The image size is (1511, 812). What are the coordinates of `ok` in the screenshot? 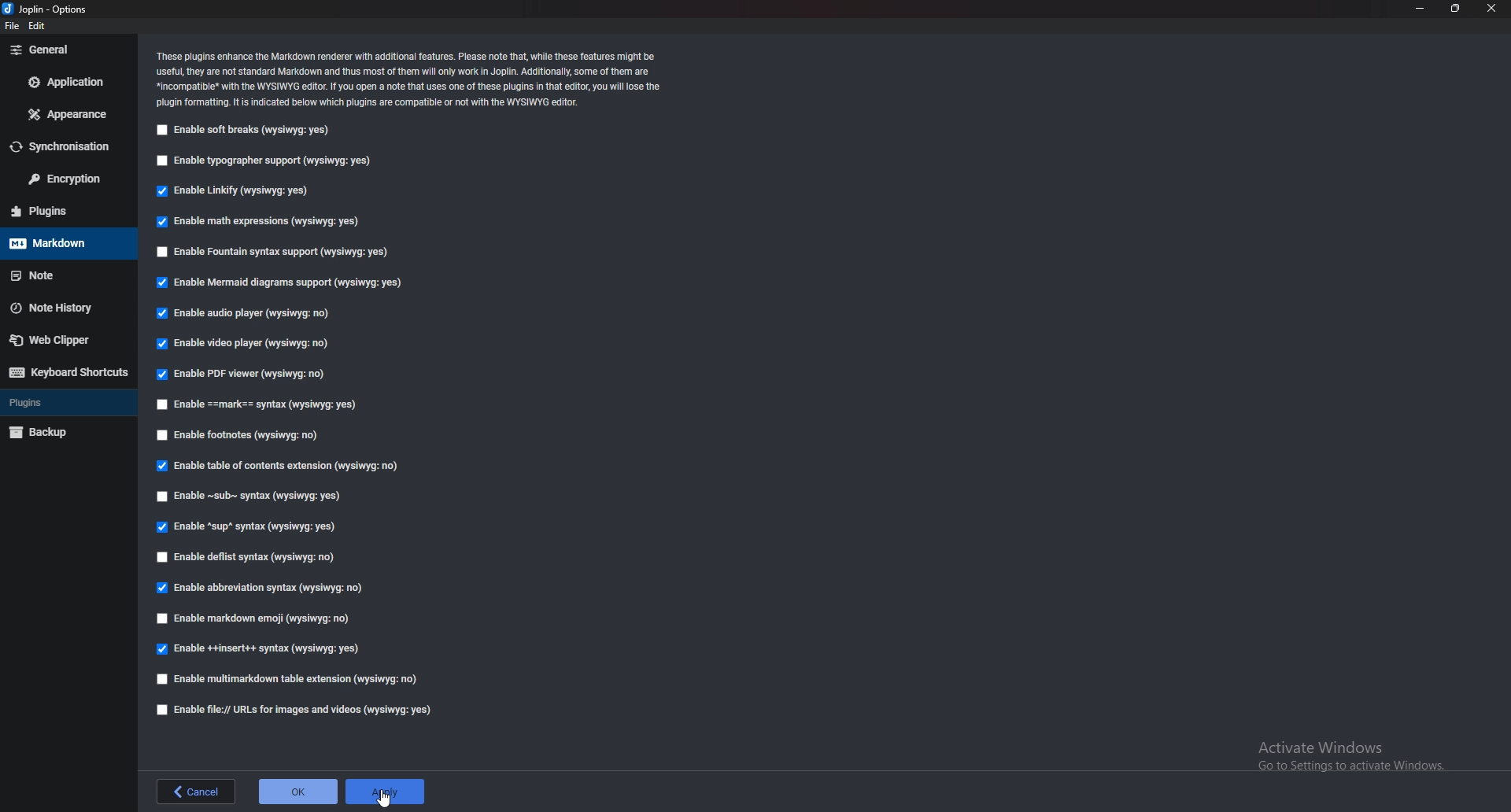 It's located at (300, 792).